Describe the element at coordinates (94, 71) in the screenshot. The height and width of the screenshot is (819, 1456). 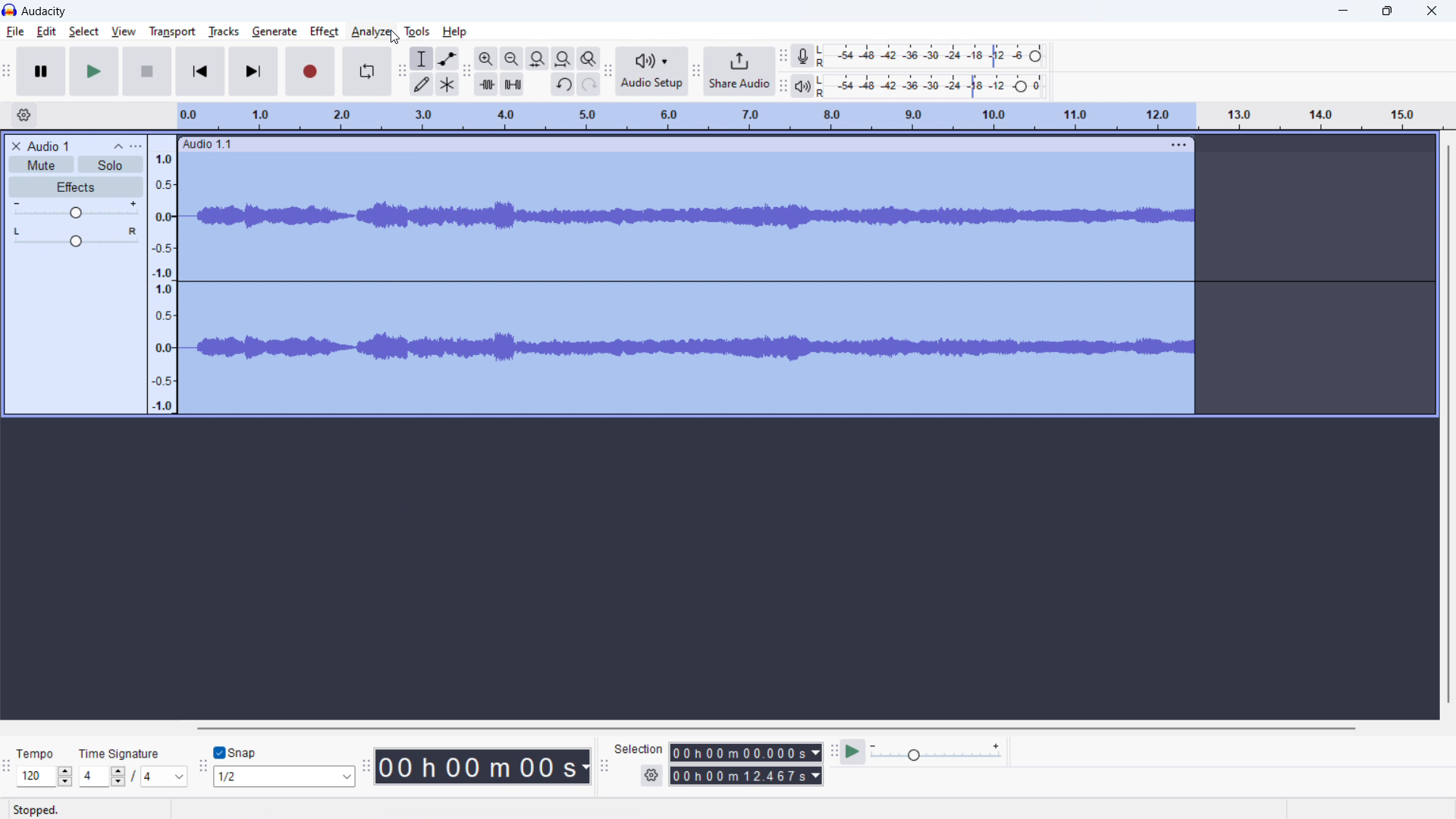
I see `play` at that location.